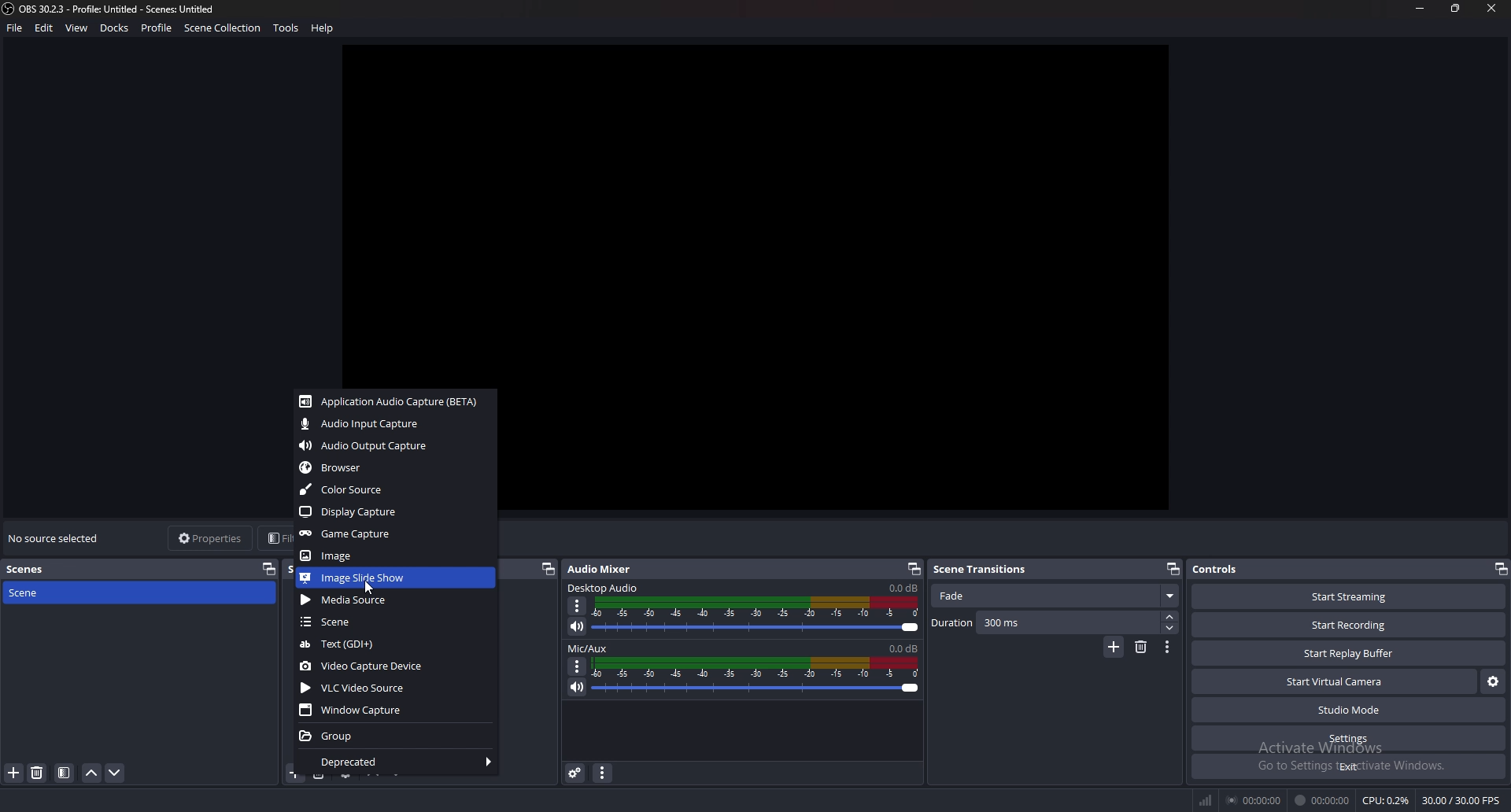 Image resolution: width=1511 pixels, height=812 pixels. I want to click on transition properties, so click(1168, 648).